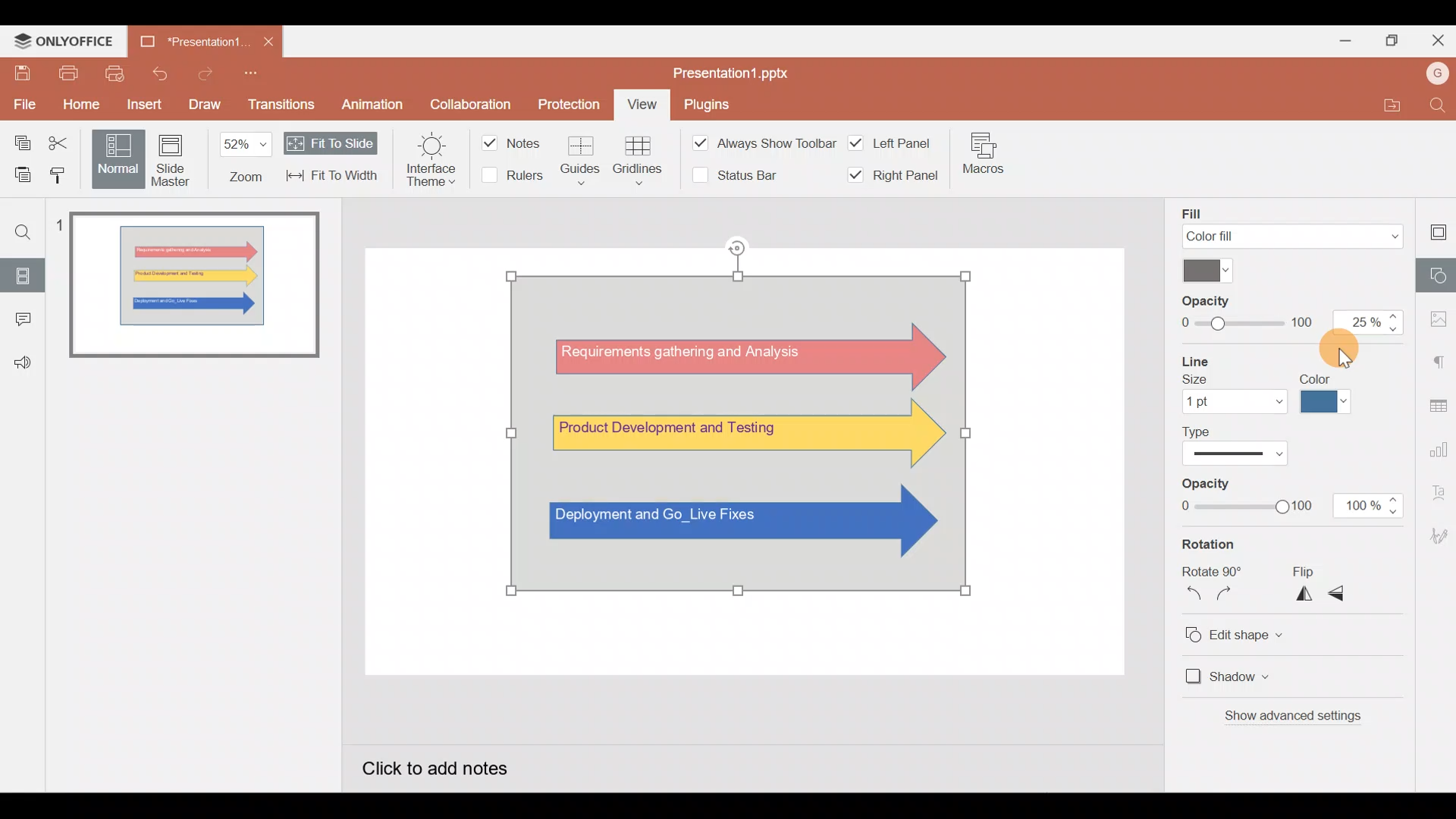  What do you see at coordinates (749, 73) in the screenshot?
I see `Presentation1.pptx` at bounding box center [749, 73].